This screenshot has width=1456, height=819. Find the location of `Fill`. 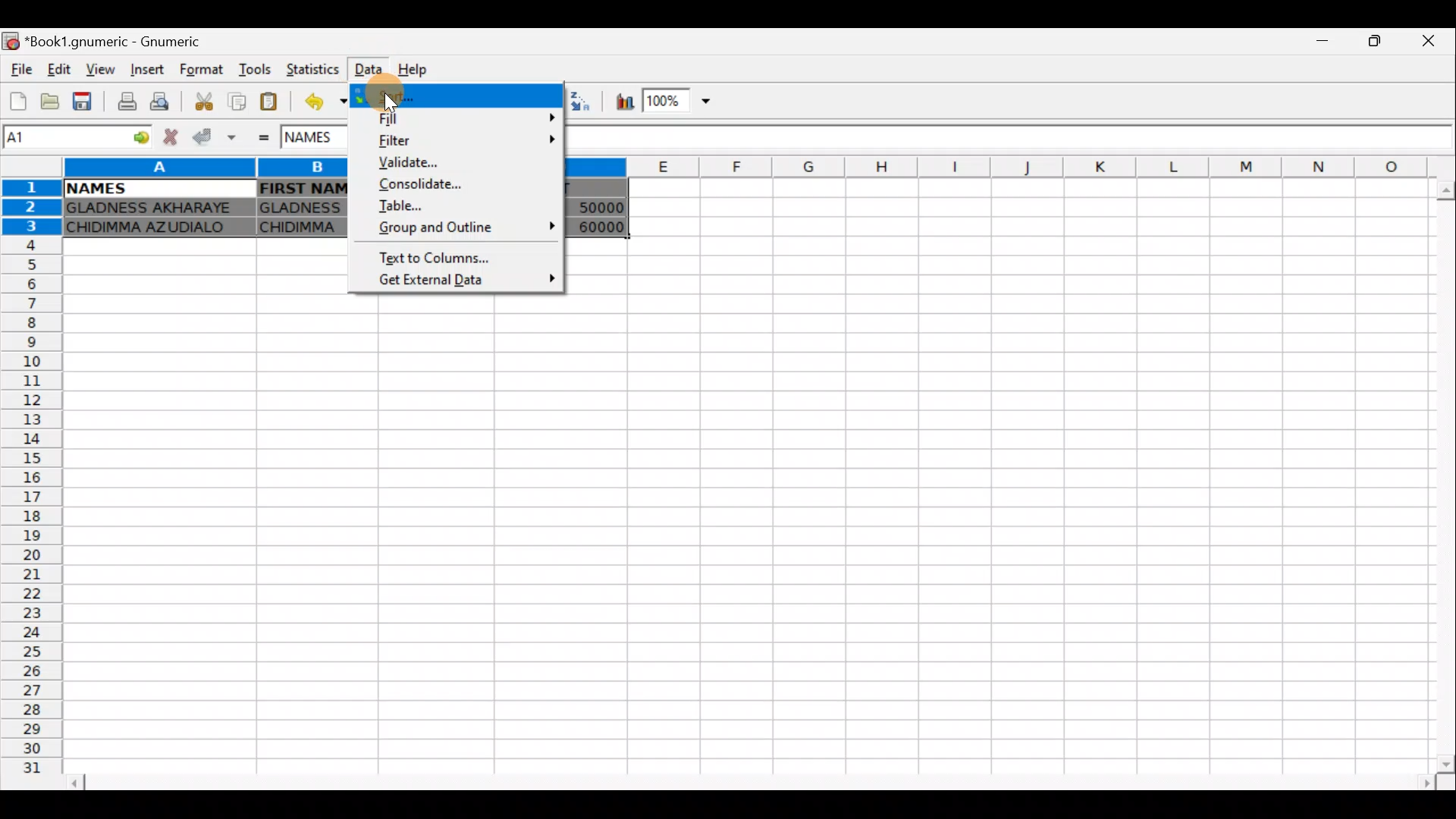

Fill is located at coordinates (460, 119).